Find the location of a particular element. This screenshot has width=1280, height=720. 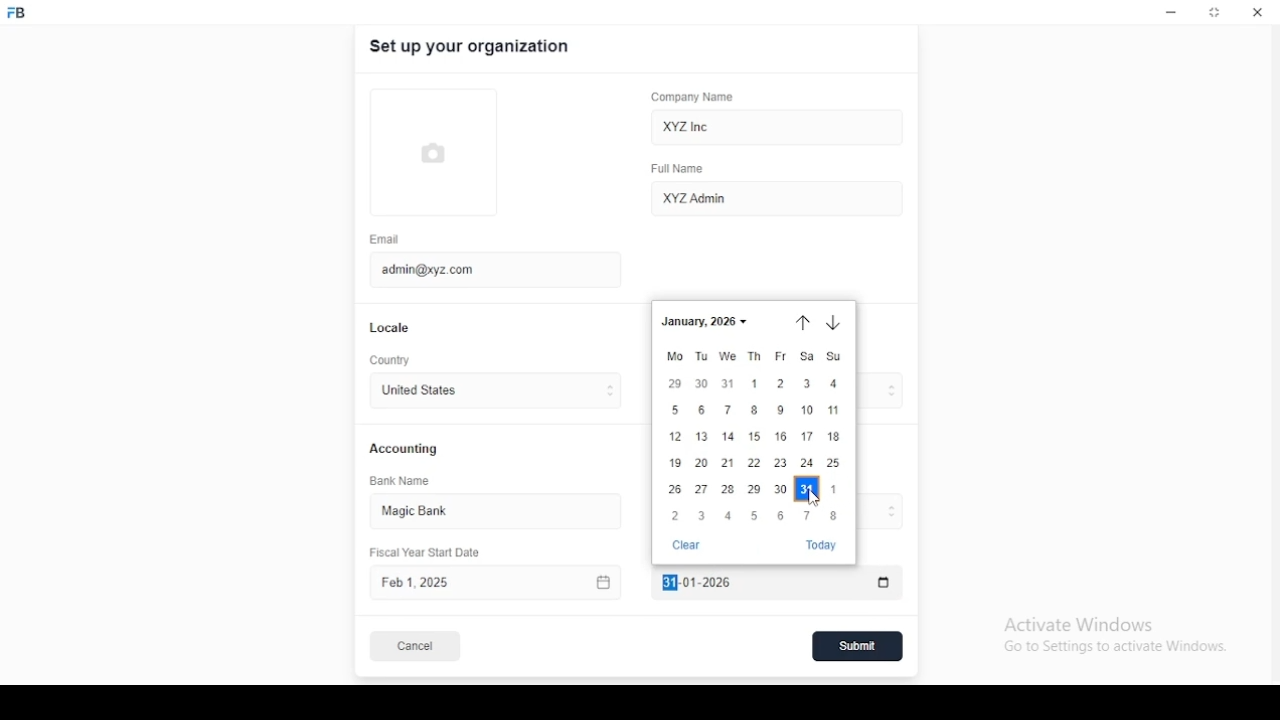

8 is located at coordinates (832, 516).